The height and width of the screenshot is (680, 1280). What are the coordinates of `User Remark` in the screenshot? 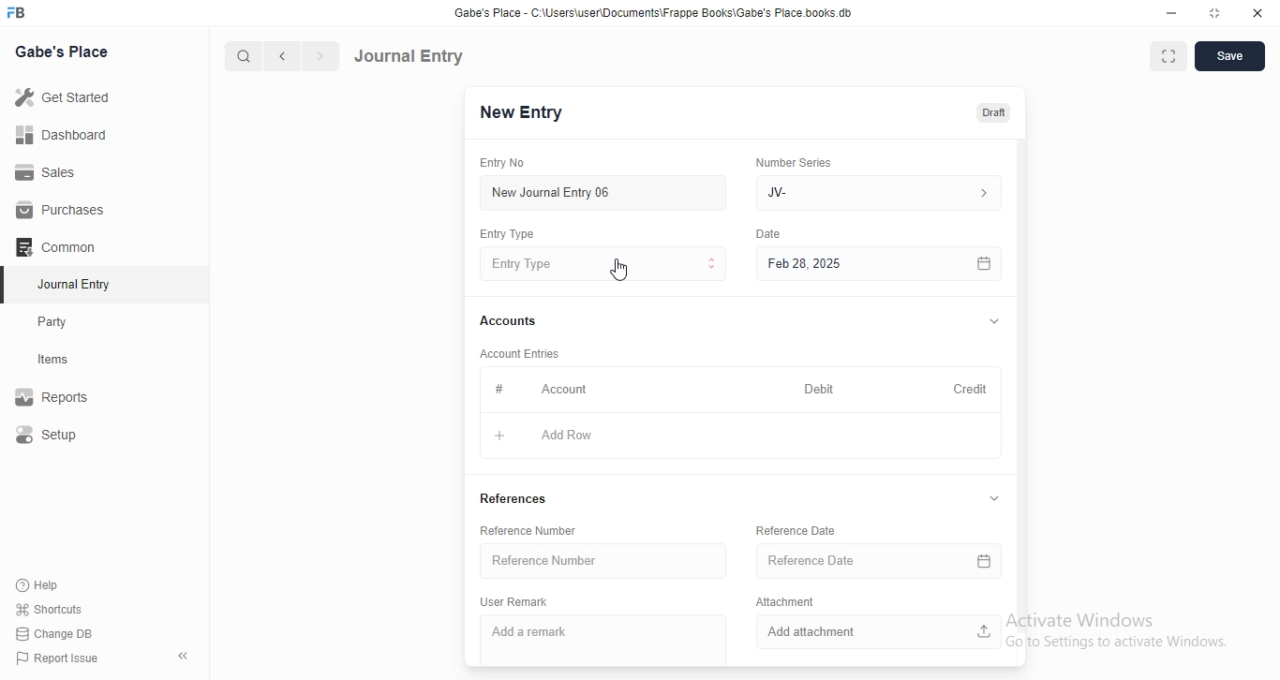 It's located at (521, 601).